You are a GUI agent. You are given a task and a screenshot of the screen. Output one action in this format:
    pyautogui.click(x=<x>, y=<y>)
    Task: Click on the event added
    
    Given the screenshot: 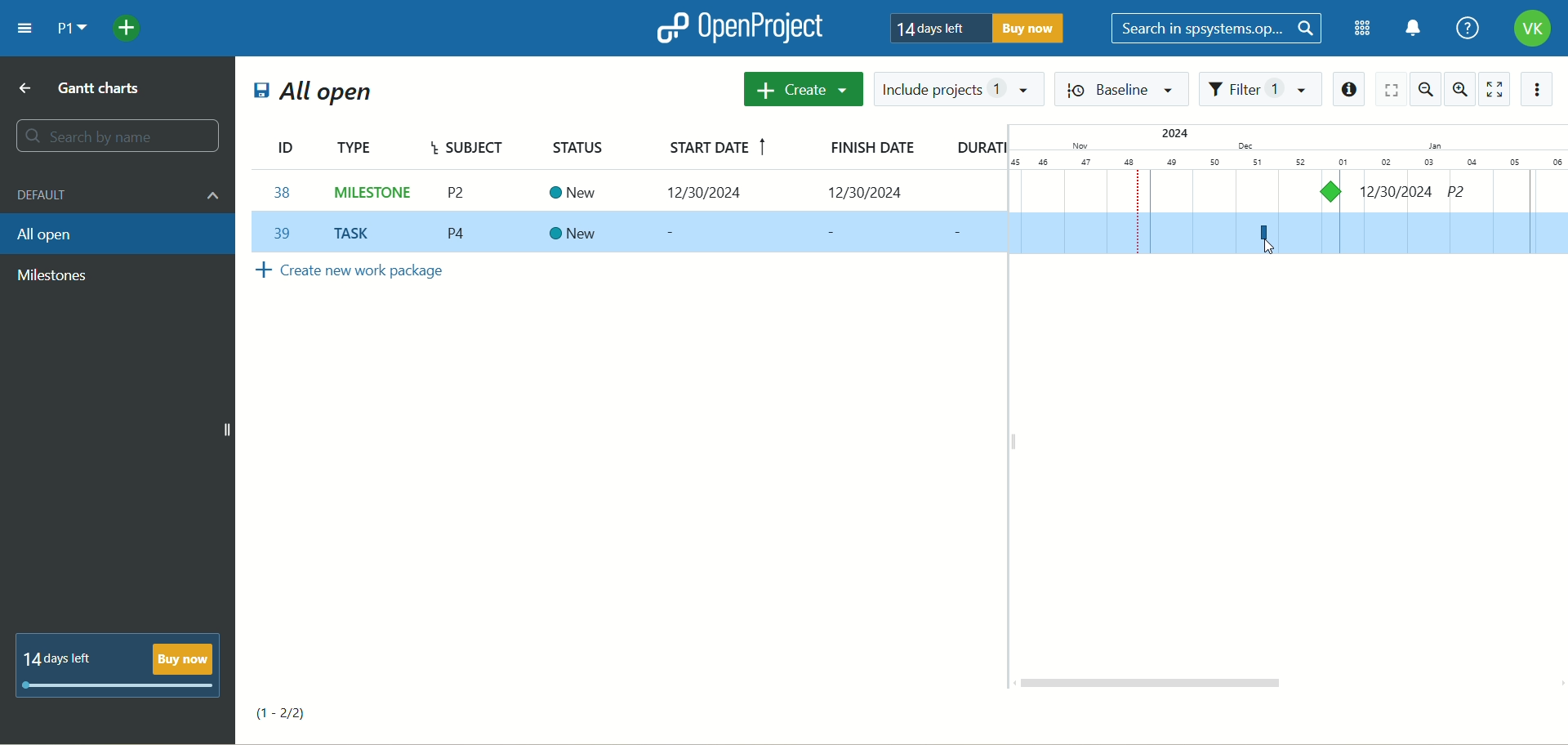 What is the action you would take?
    pyautogui.click(x=1263, y=233)
    